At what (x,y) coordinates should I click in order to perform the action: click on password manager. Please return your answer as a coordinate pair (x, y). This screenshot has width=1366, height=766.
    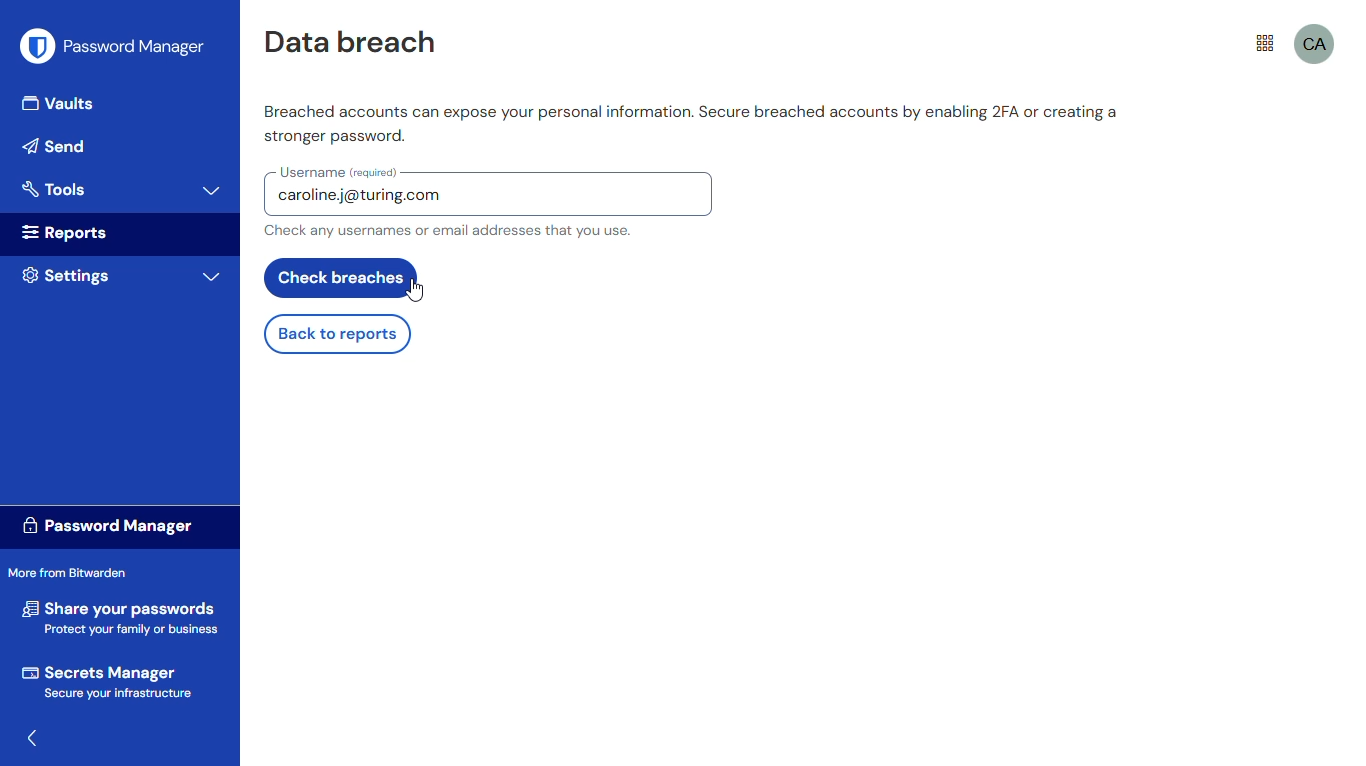
    Looking at the image, I should click on (105, 525).